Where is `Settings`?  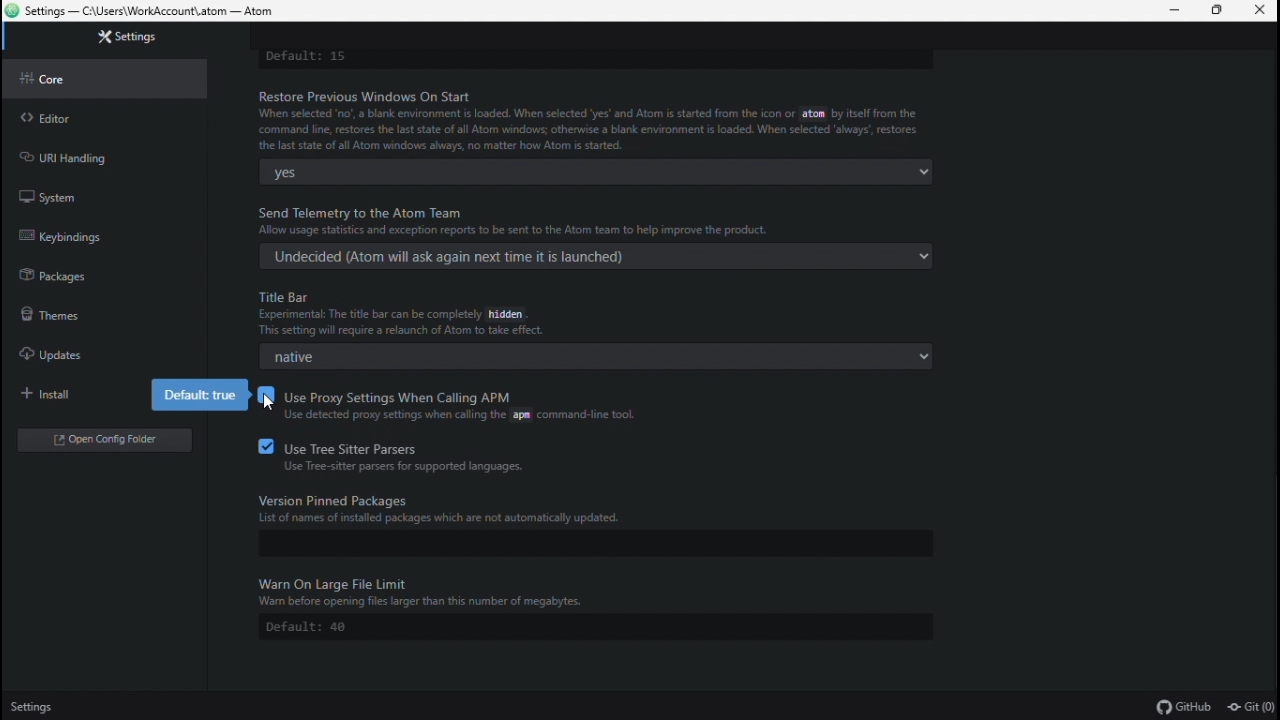 Settings is located at coordinates (37, 707).